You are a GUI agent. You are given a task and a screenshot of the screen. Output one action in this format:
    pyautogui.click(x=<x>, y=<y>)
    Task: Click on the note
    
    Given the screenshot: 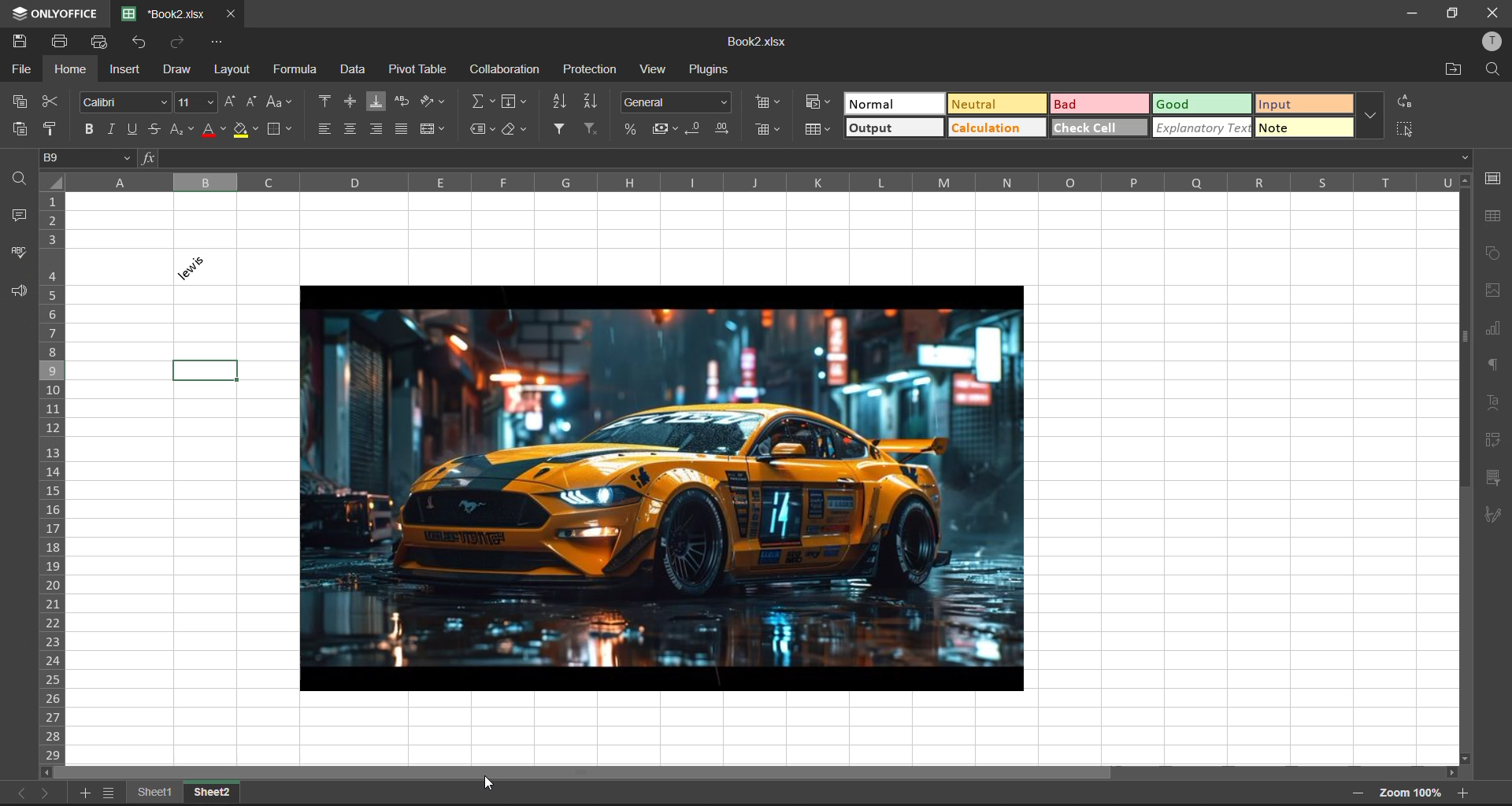 What is the action you would take?
    pyautogui.click(x=1303, y=131)
    